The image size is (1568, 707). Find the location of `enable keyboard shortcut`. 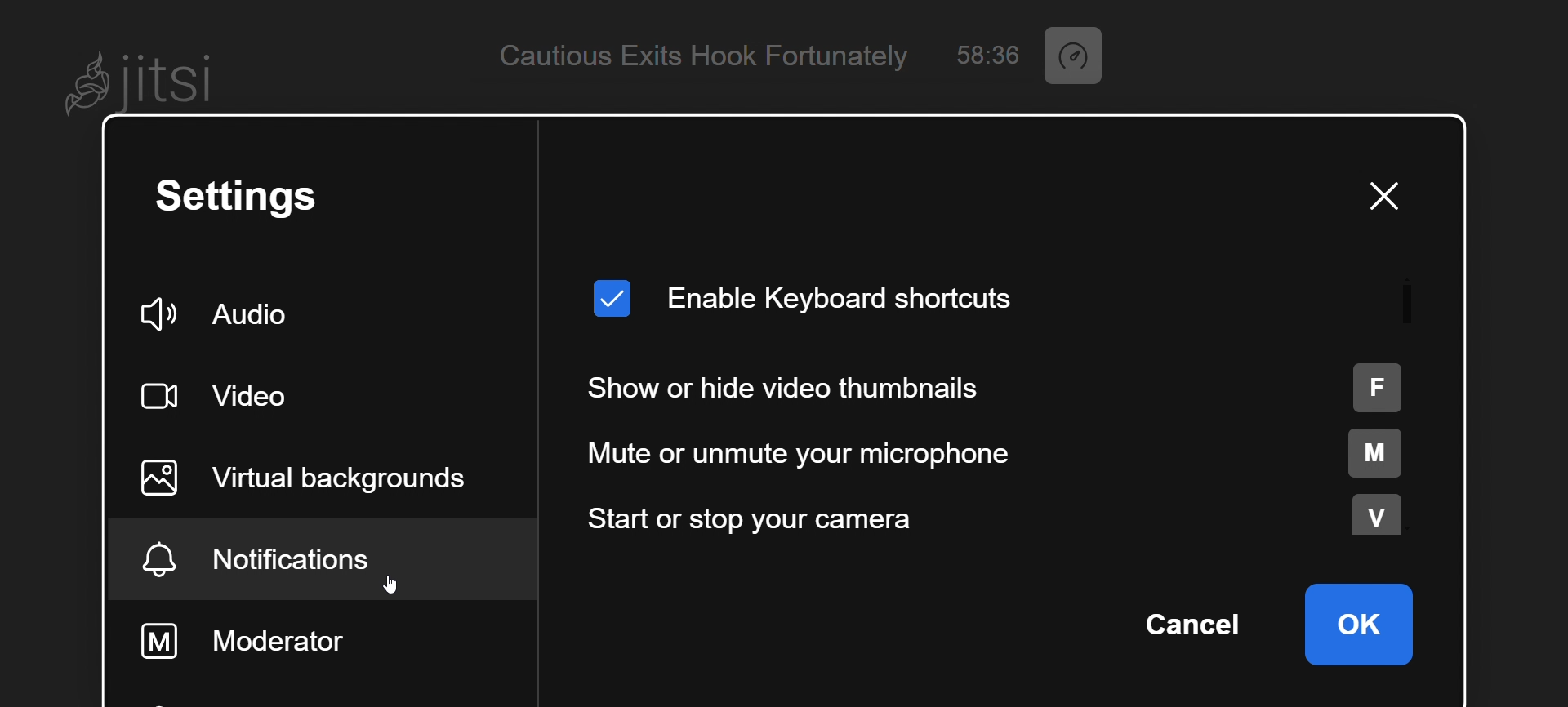

enable keyboard shortcut is located at coordinates (823, 296).